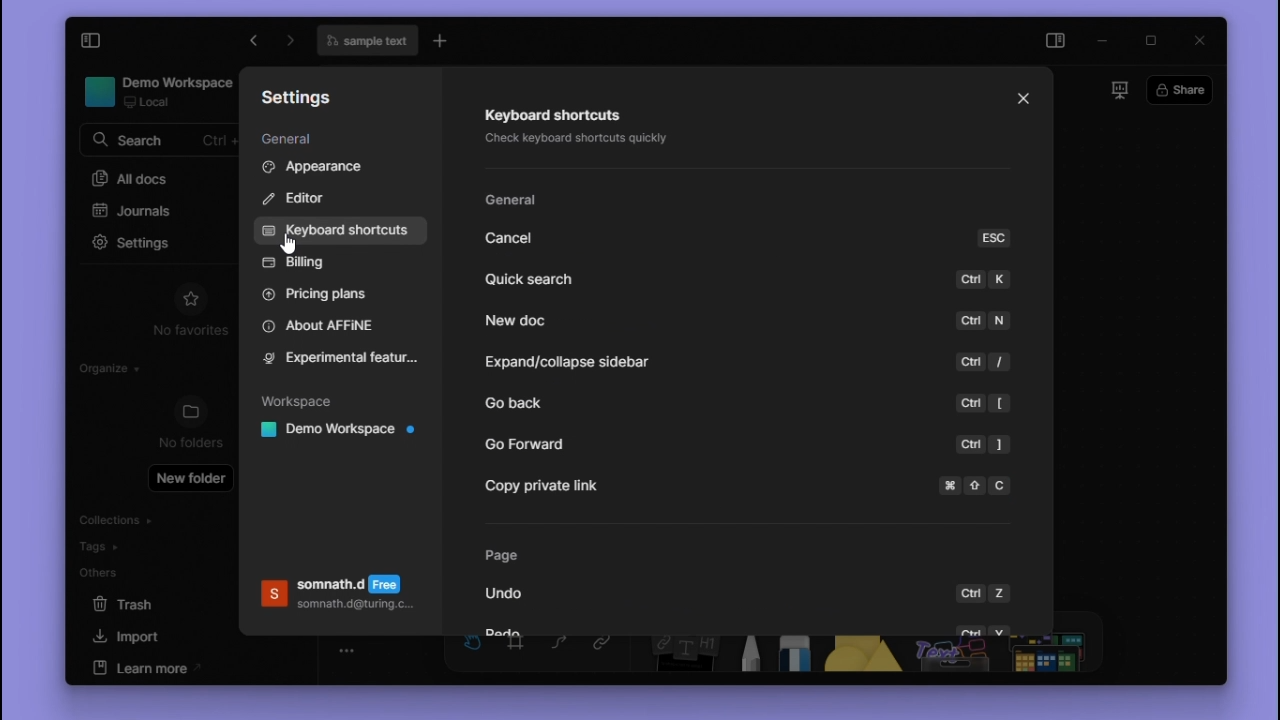 The height and width of the screenshot is (720, 1280). Describe the element at coordinates (92, 42) in the screenshot. I see `collapse sidebar` at that location.